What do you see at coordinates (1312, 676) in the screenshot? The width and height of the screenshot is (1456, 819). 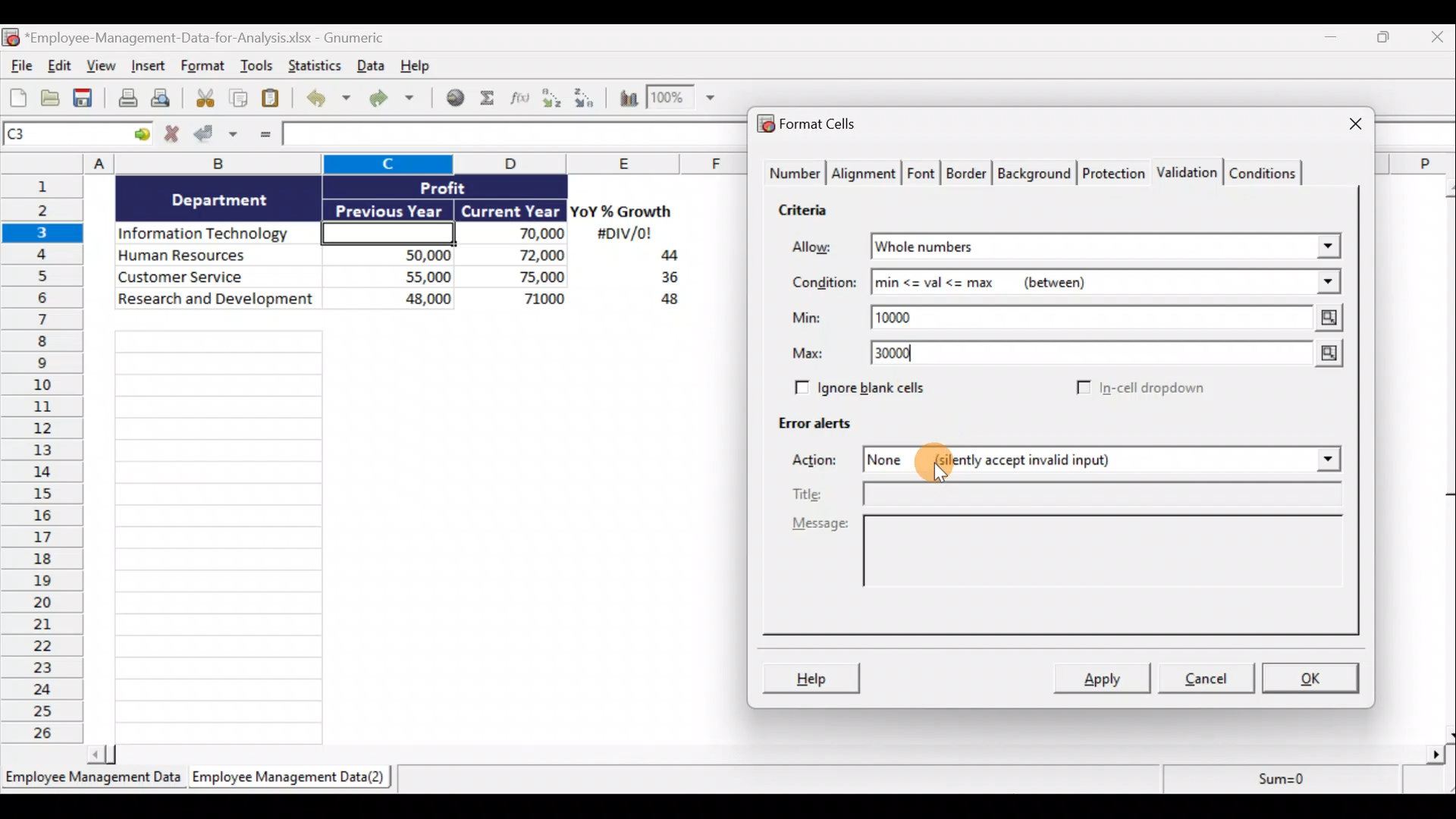 I see `OK` at bounding box center [1312, 676].